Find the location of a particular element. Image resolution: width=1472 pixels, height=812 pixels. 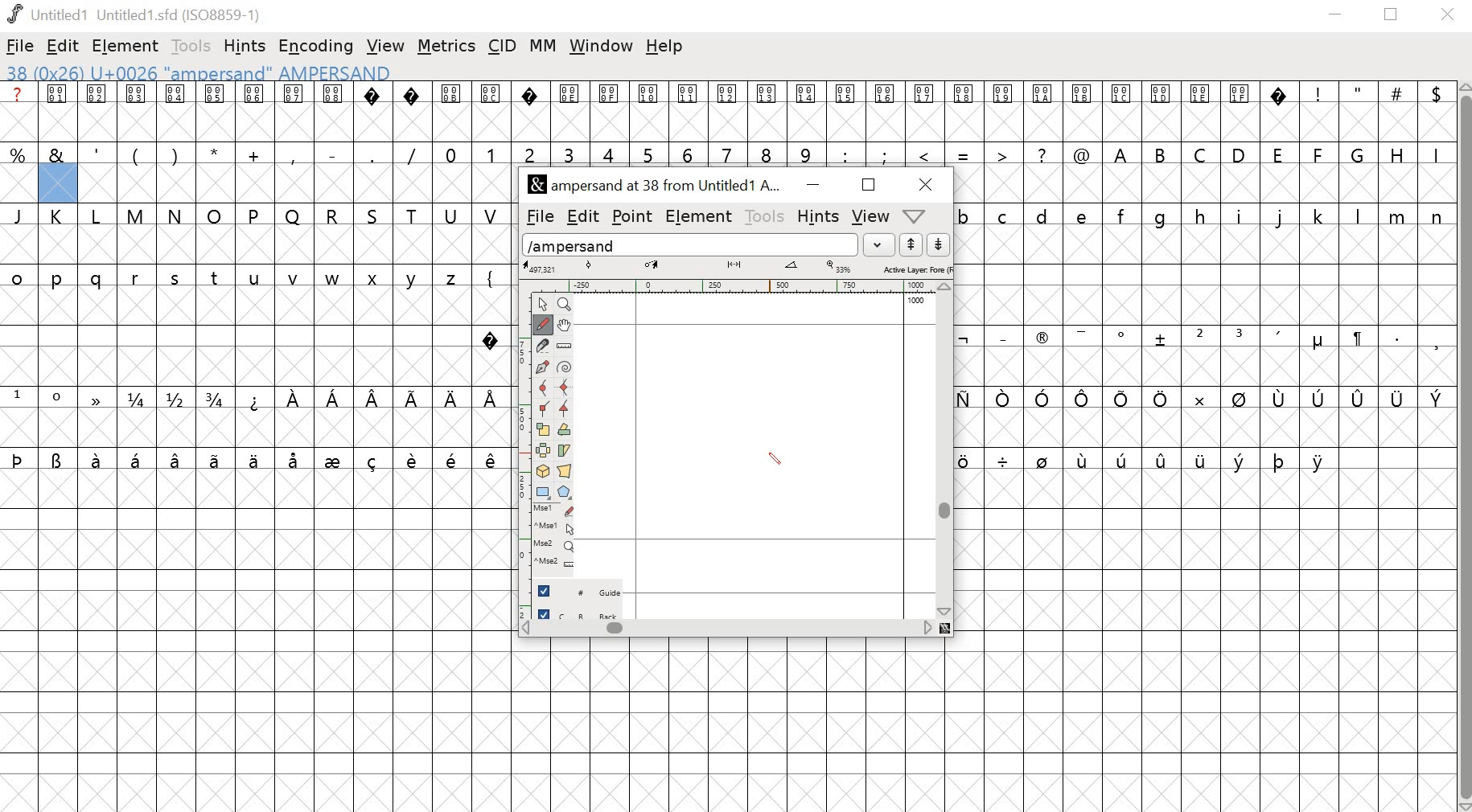

t is located at coordinates (216, 278).